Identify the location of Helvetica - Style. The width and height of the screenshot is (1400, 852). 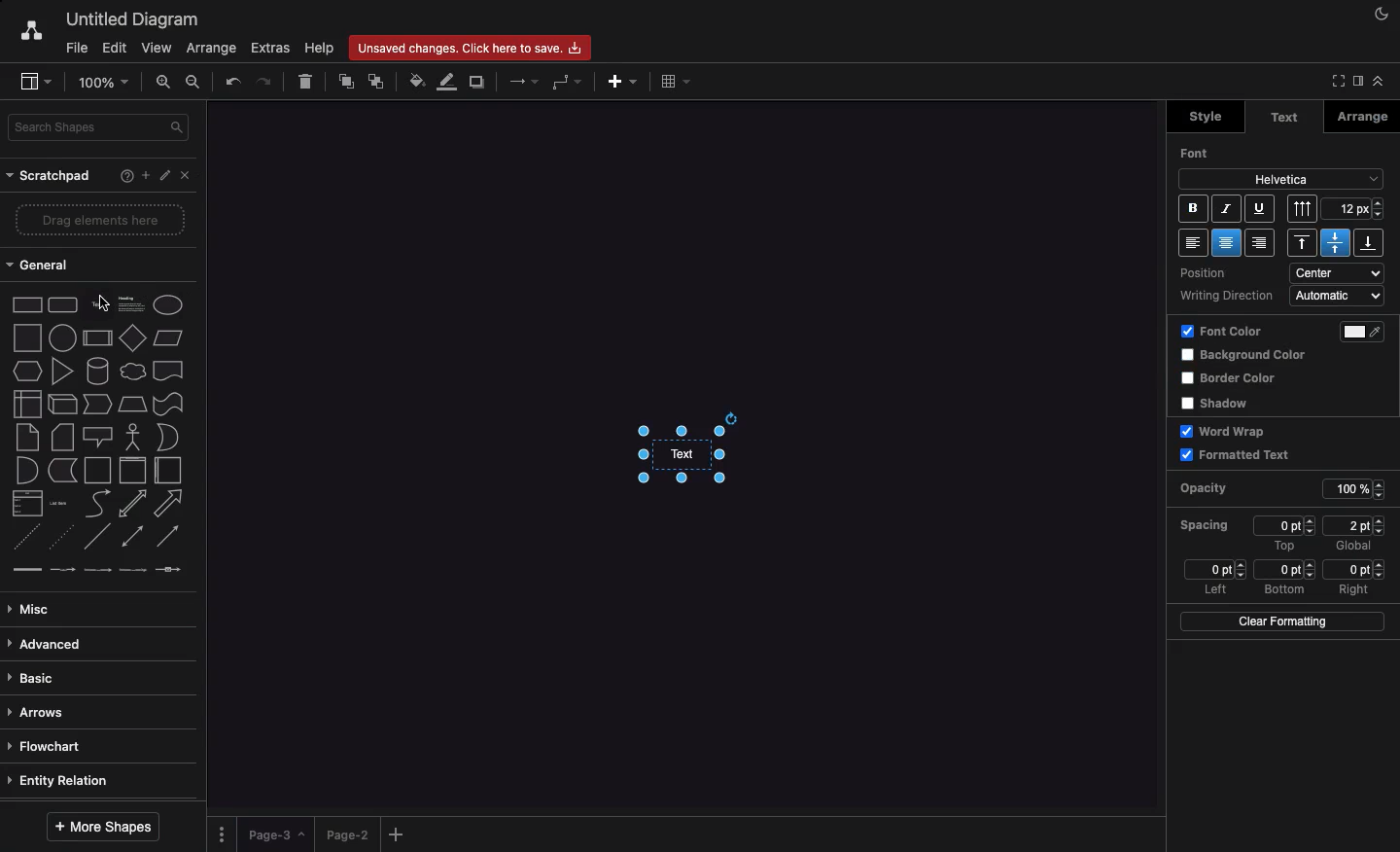
(1280, 180).